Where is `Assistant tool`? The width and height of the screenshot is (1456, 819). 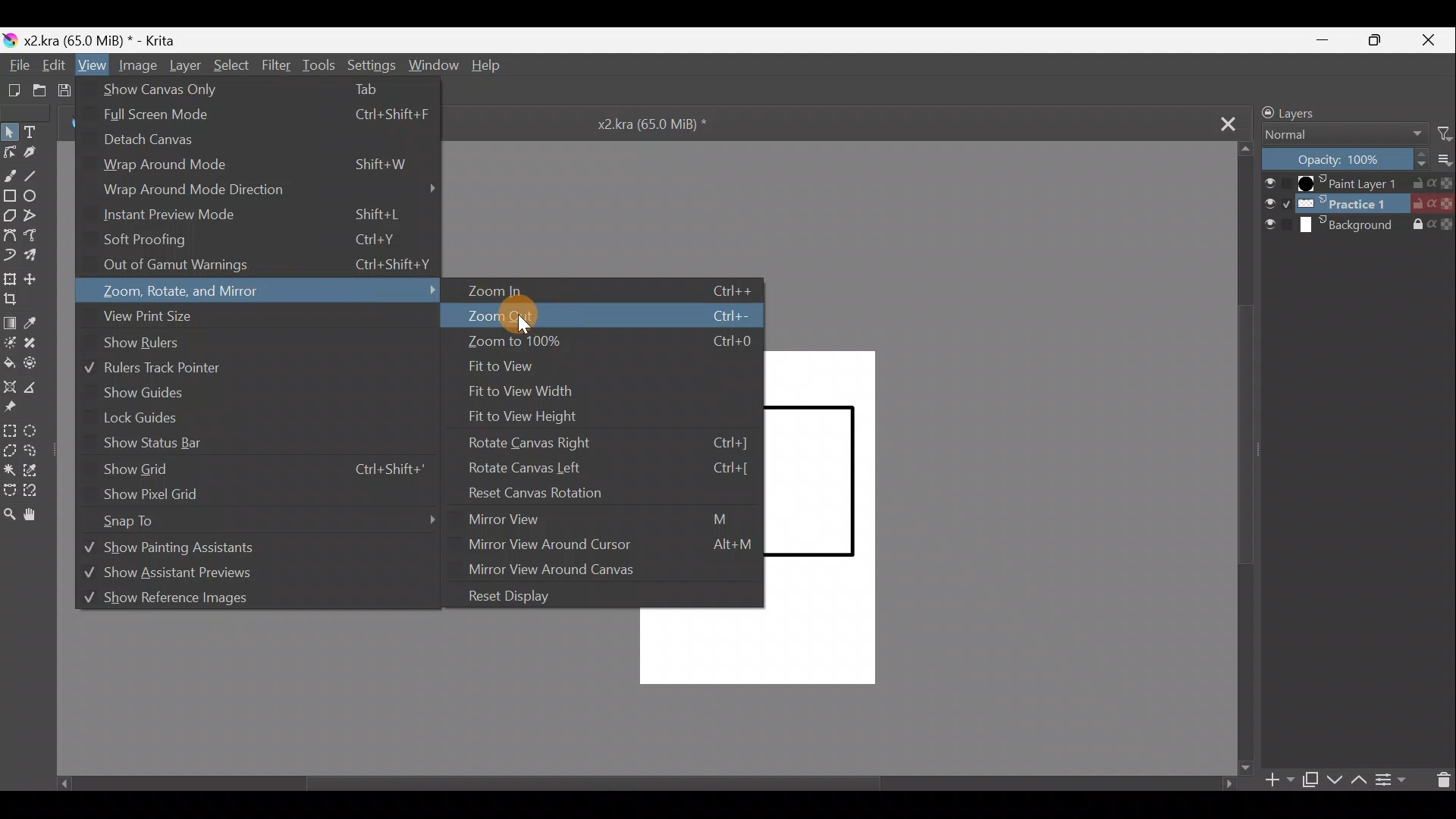 Assistant tool is located at coordinates (10, 387).